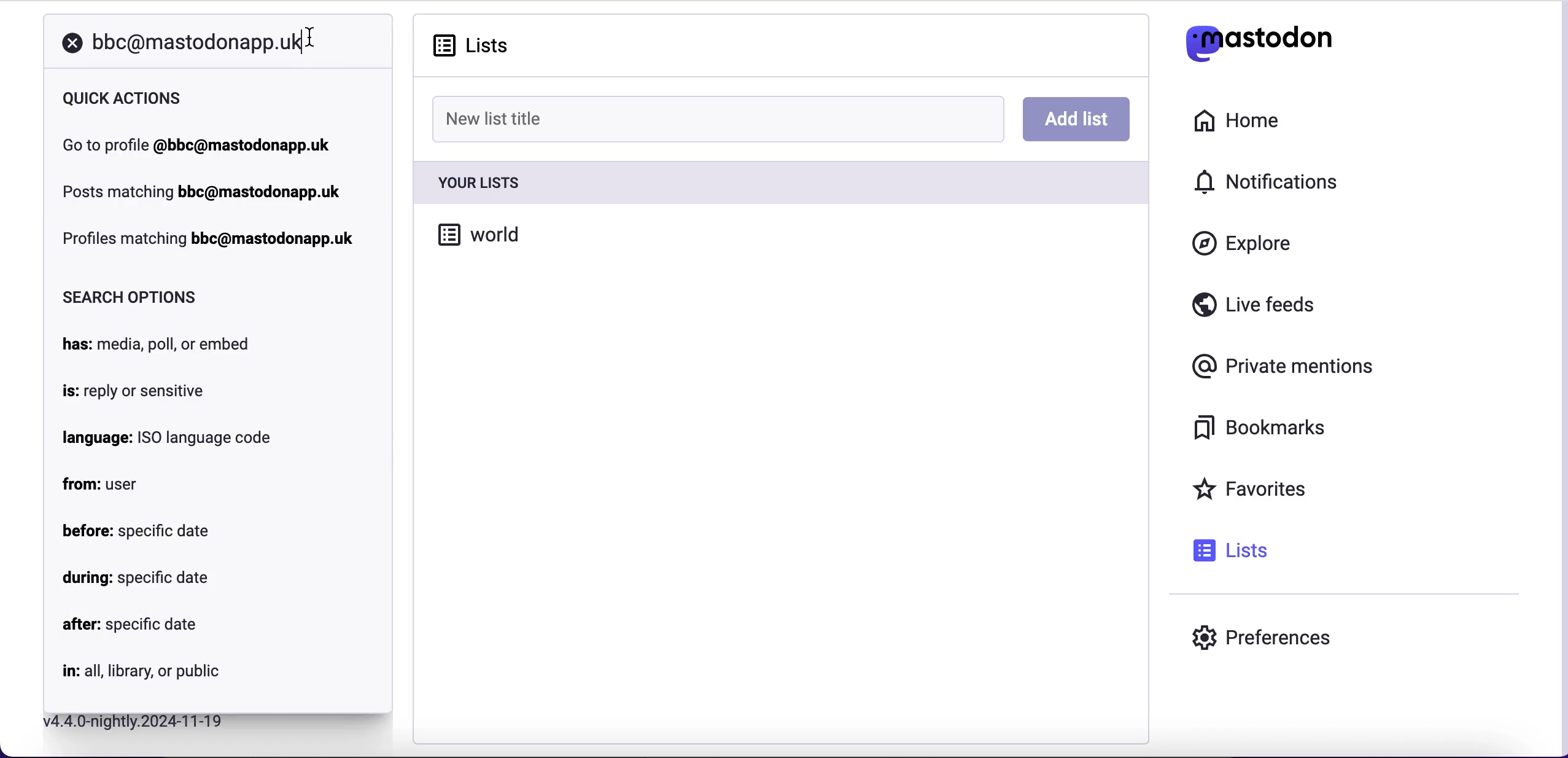  Describe the element at coordinates (102, 486) in the screenshot. I see `from: user` at that location.